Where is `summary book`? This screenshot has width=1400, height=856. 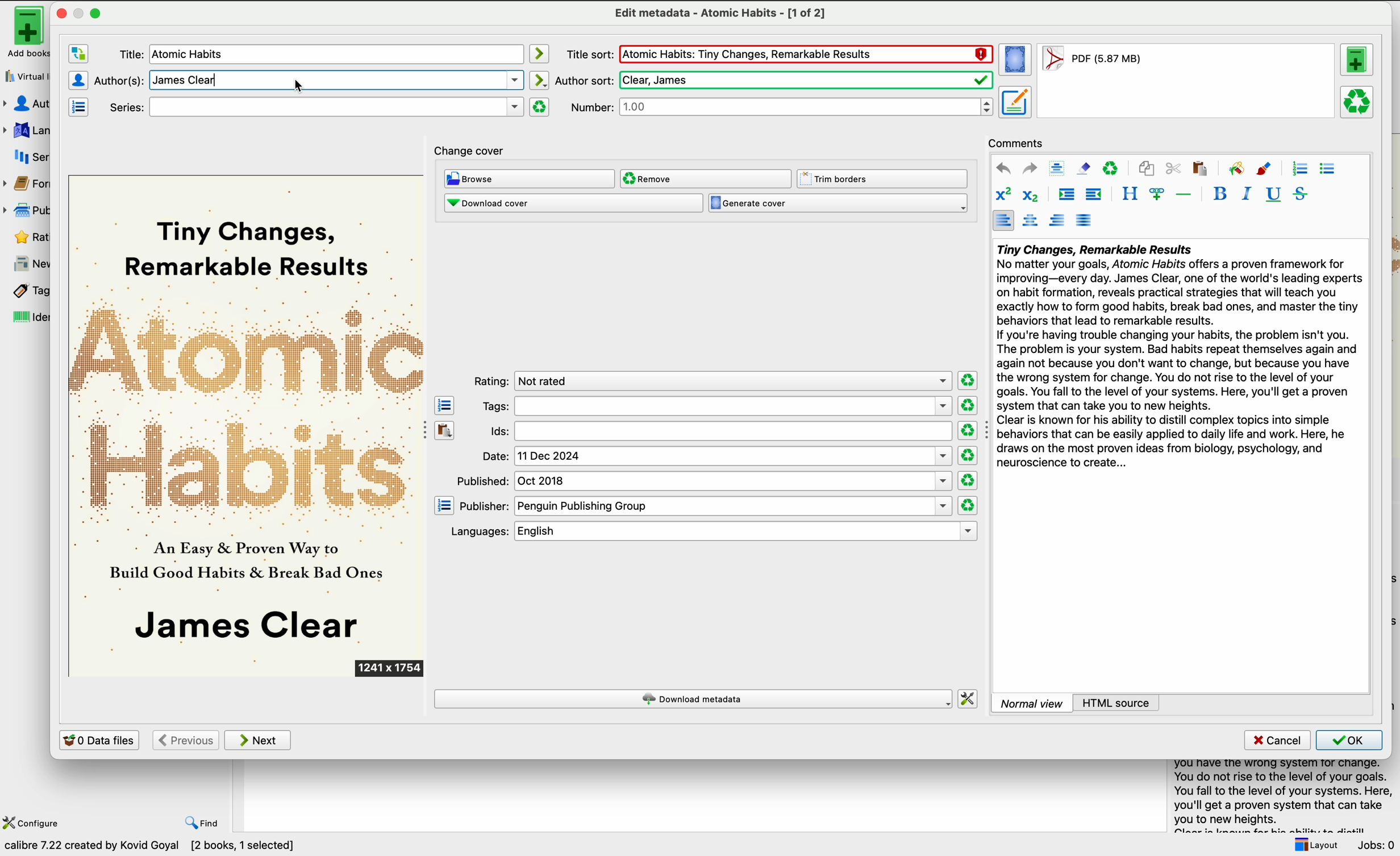 summary book is located at coordinates (1278, 794).